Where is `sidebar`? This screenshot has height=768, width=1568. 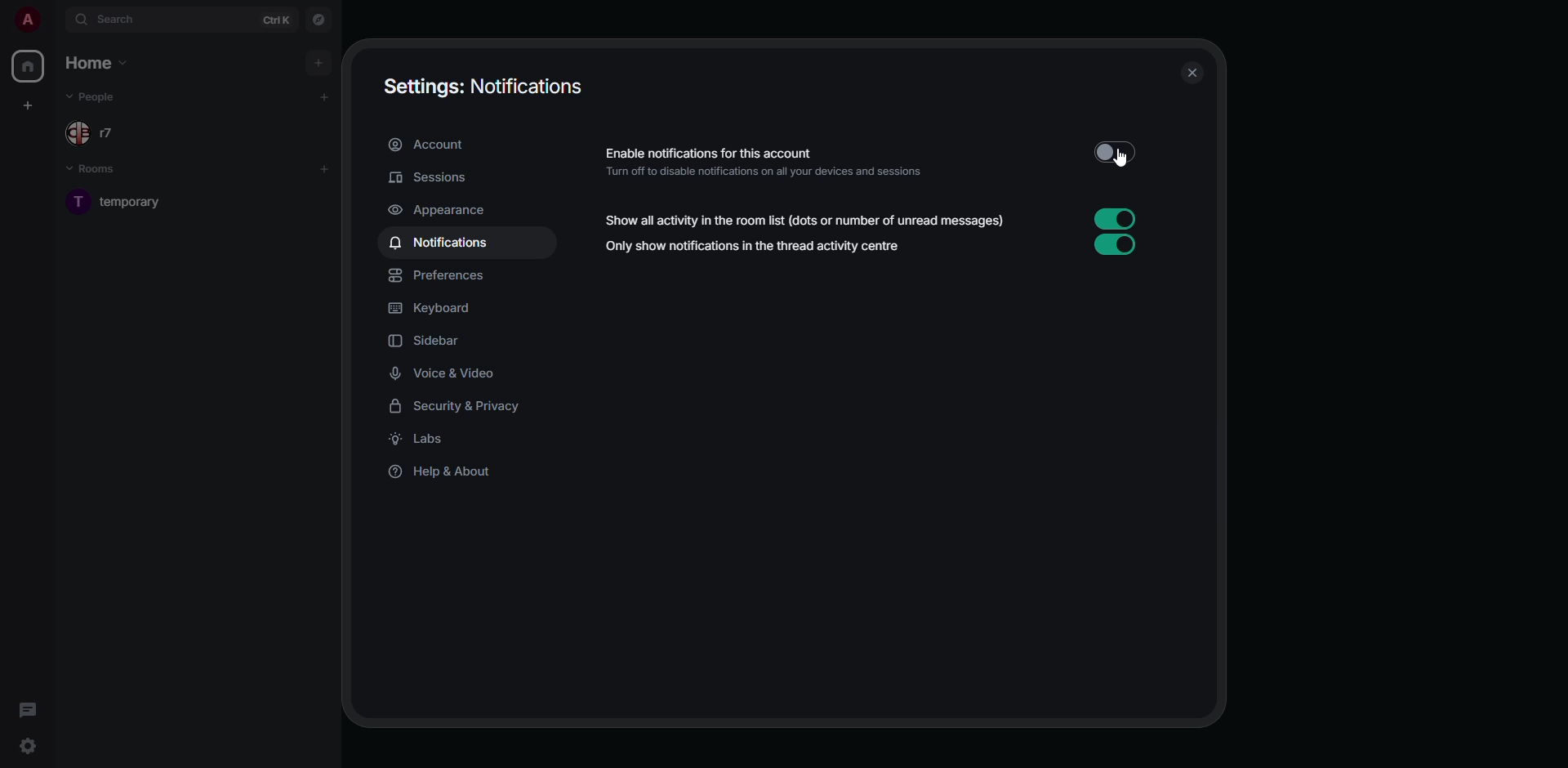 sidebar is located at coordinates (432, 340).